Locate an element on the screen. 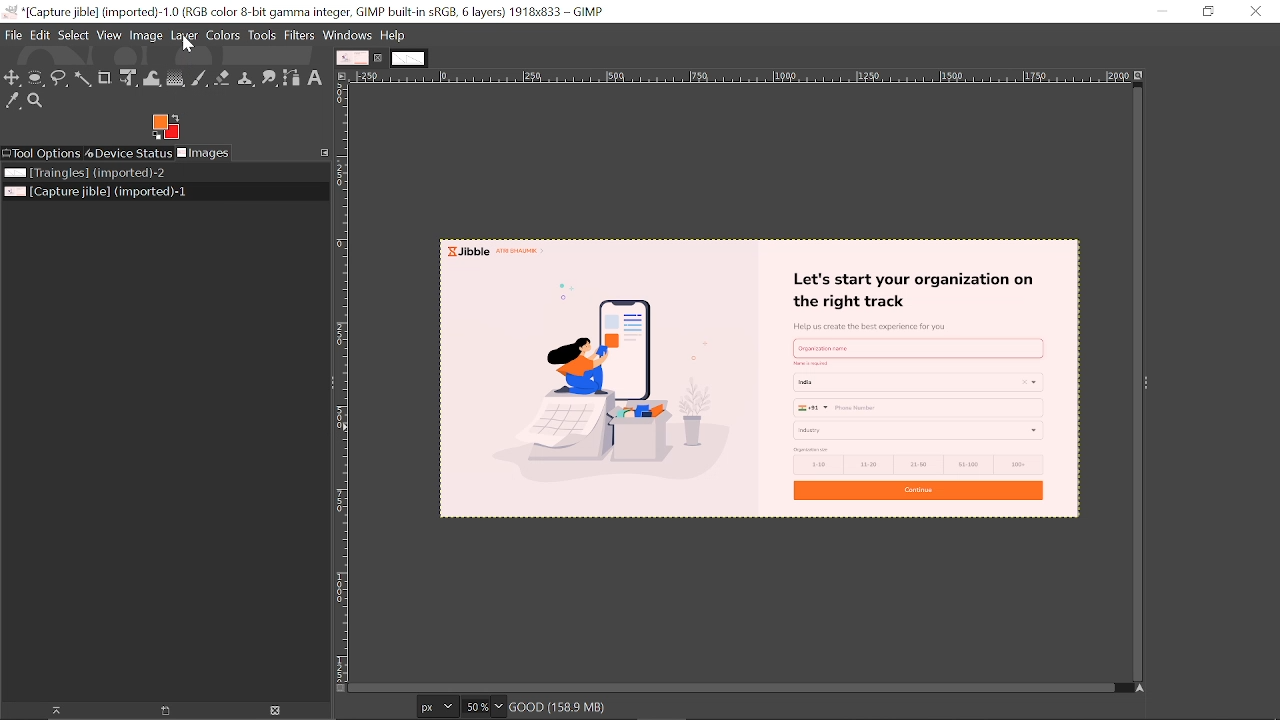 The image size is (1280, 720). Restore down is located at coordinates (1209, 12).